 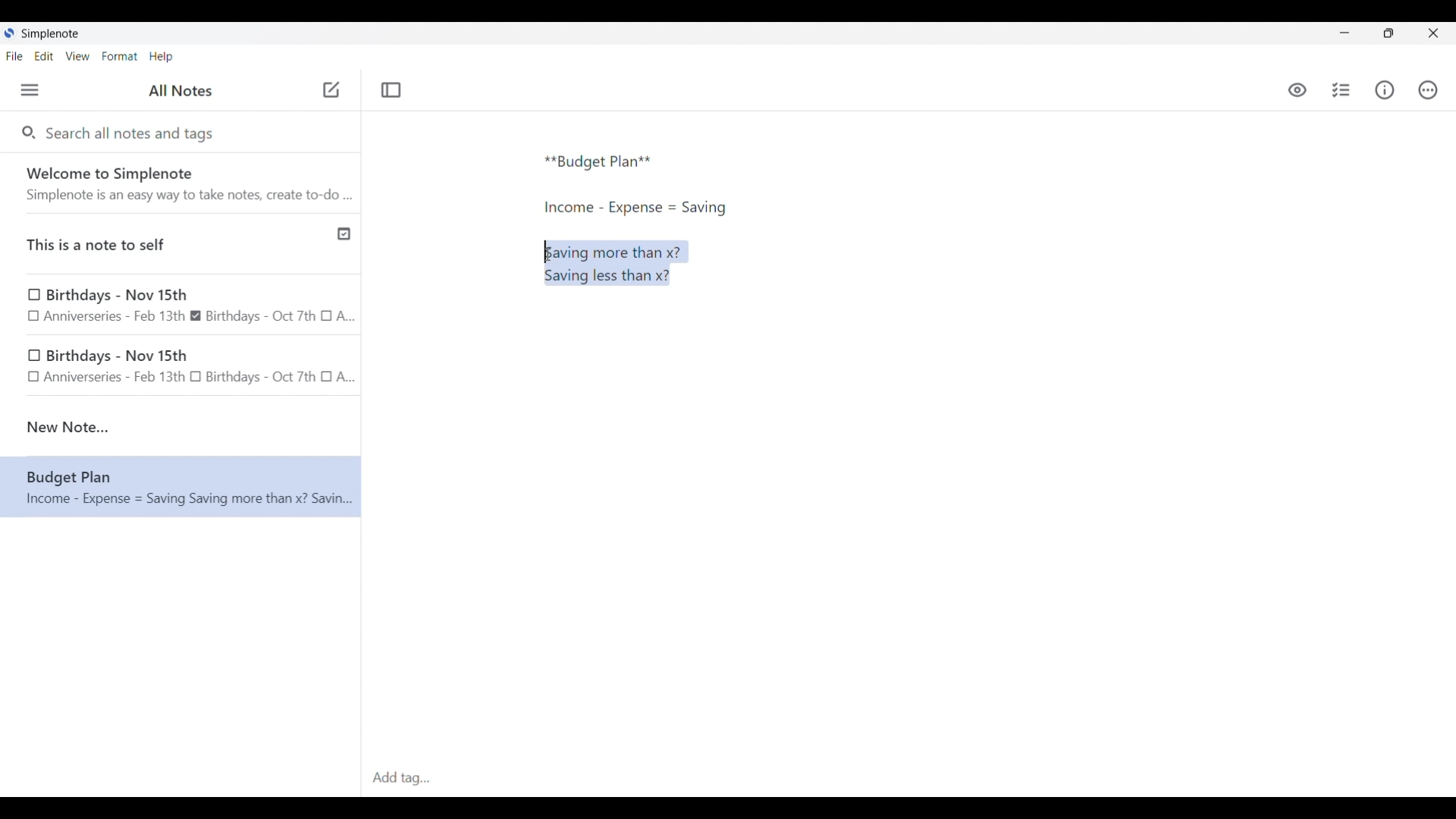 I want to click on Toggle focus mode, so click(x=391, y=90).